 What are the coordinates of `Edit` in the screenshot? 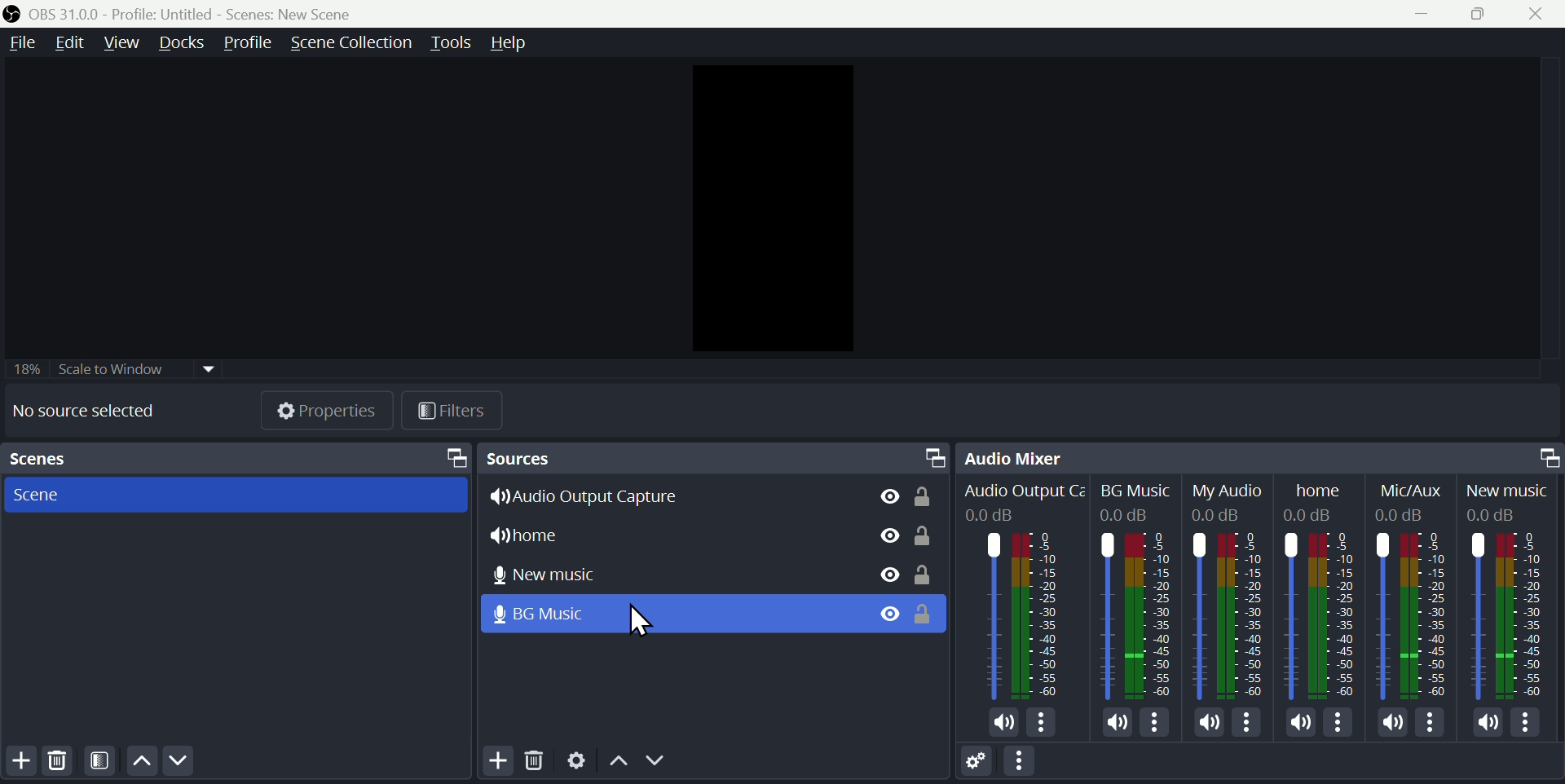 It's located at (76, 42).